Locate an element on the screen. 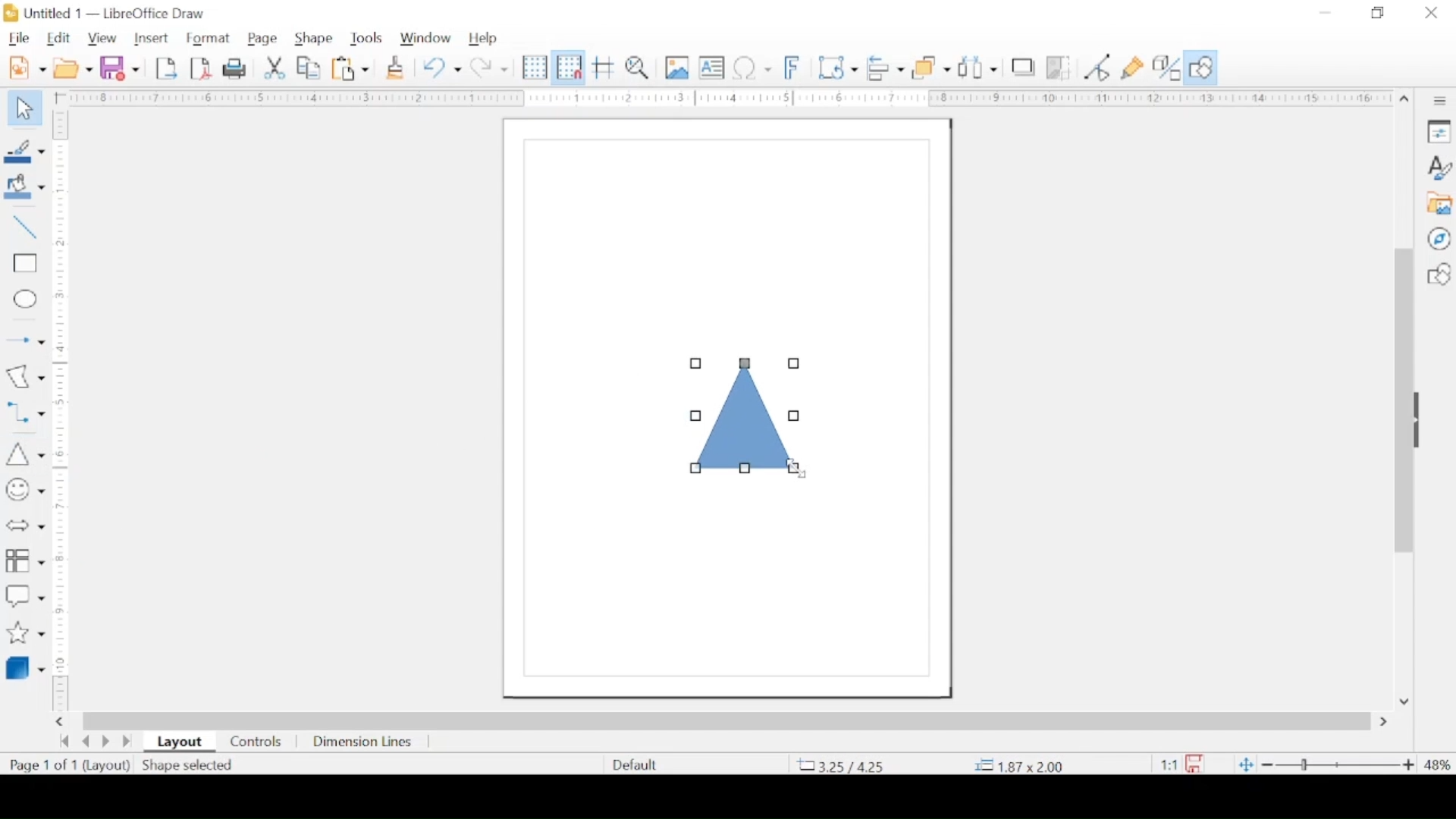 This screenshot has height=819, width=1456. resize handle is located at coordinates (695, 469).